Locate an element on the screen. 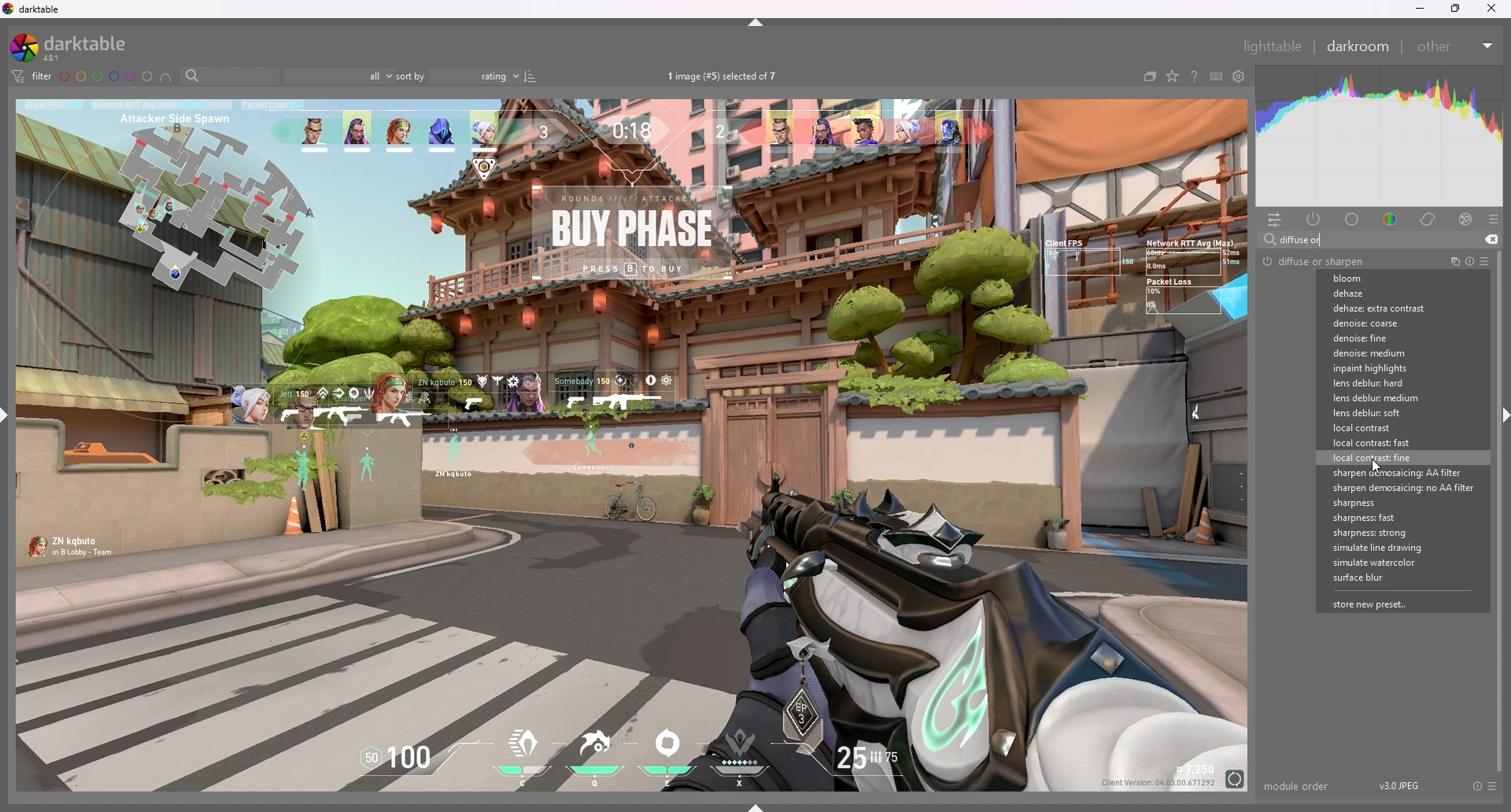 The image size is (1511, 812). sharpen demosaicing is located at coordinates (1392, 473).